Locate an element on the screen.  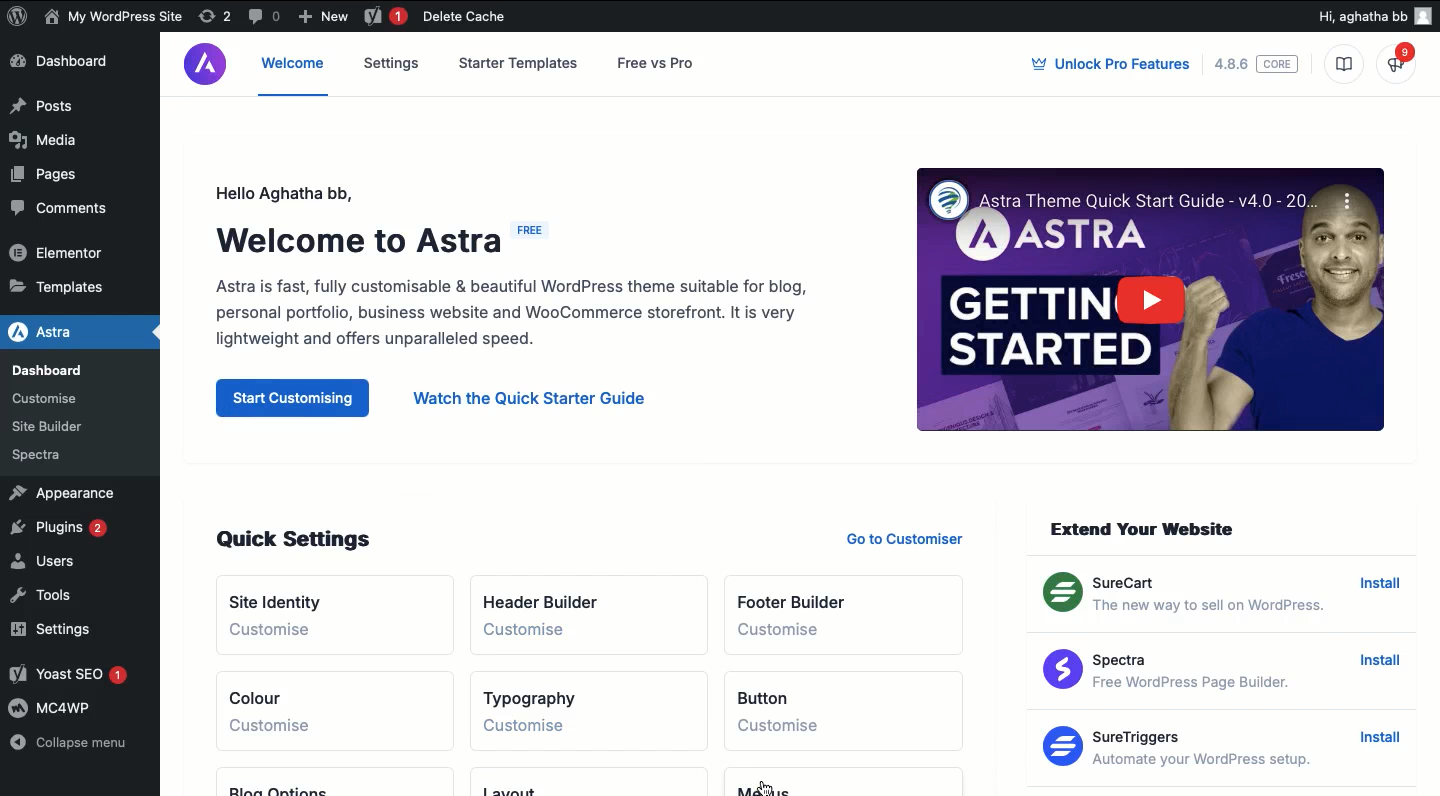
Hello Aghatha bb, is located at coordinates (277, 189).